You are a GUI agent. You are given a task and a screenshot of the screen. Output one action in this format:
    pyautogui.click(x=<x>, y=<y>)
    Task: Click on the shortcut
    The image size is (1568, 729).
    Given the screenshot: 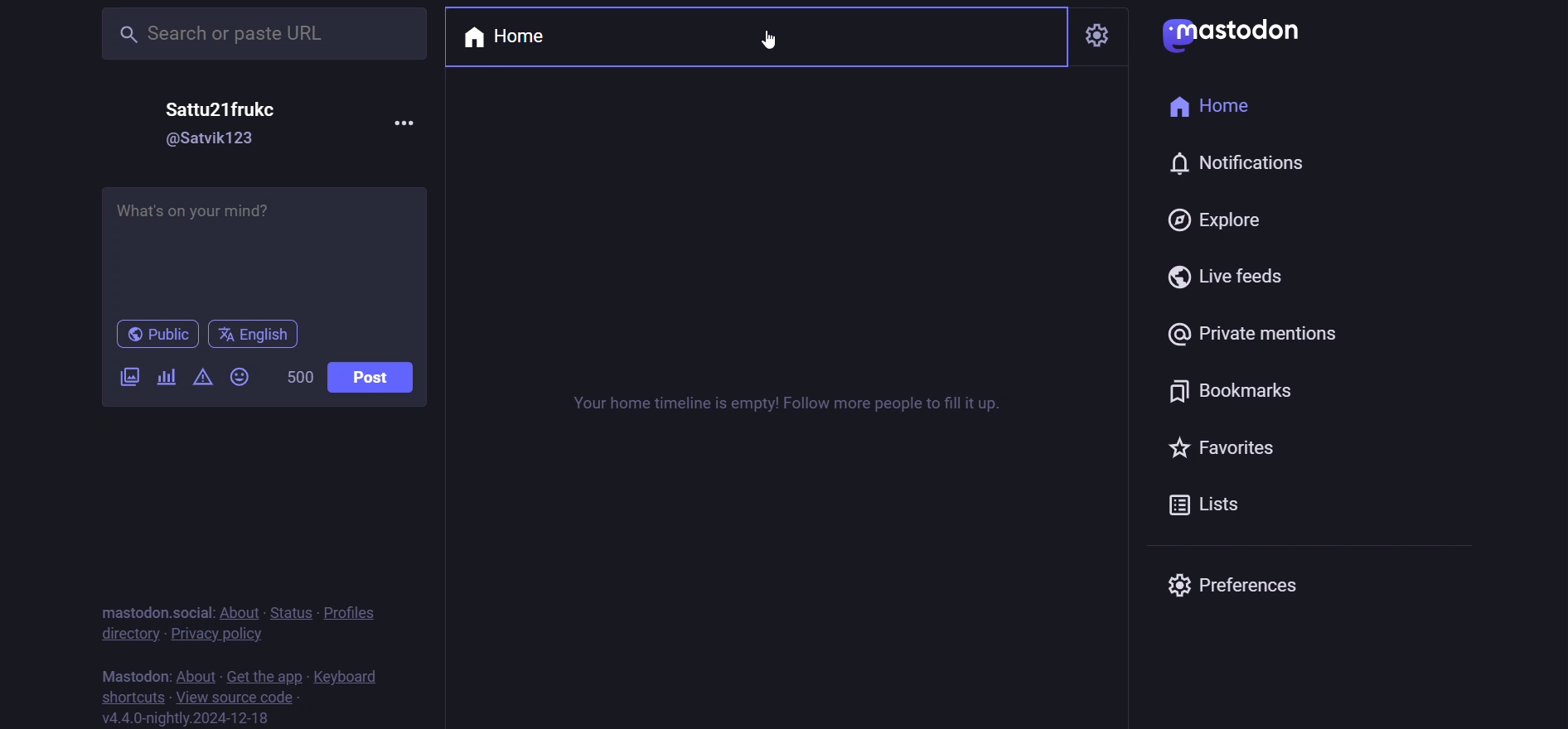 What is the action you would take?
    pyautogui.click(x=131, y=697)
    